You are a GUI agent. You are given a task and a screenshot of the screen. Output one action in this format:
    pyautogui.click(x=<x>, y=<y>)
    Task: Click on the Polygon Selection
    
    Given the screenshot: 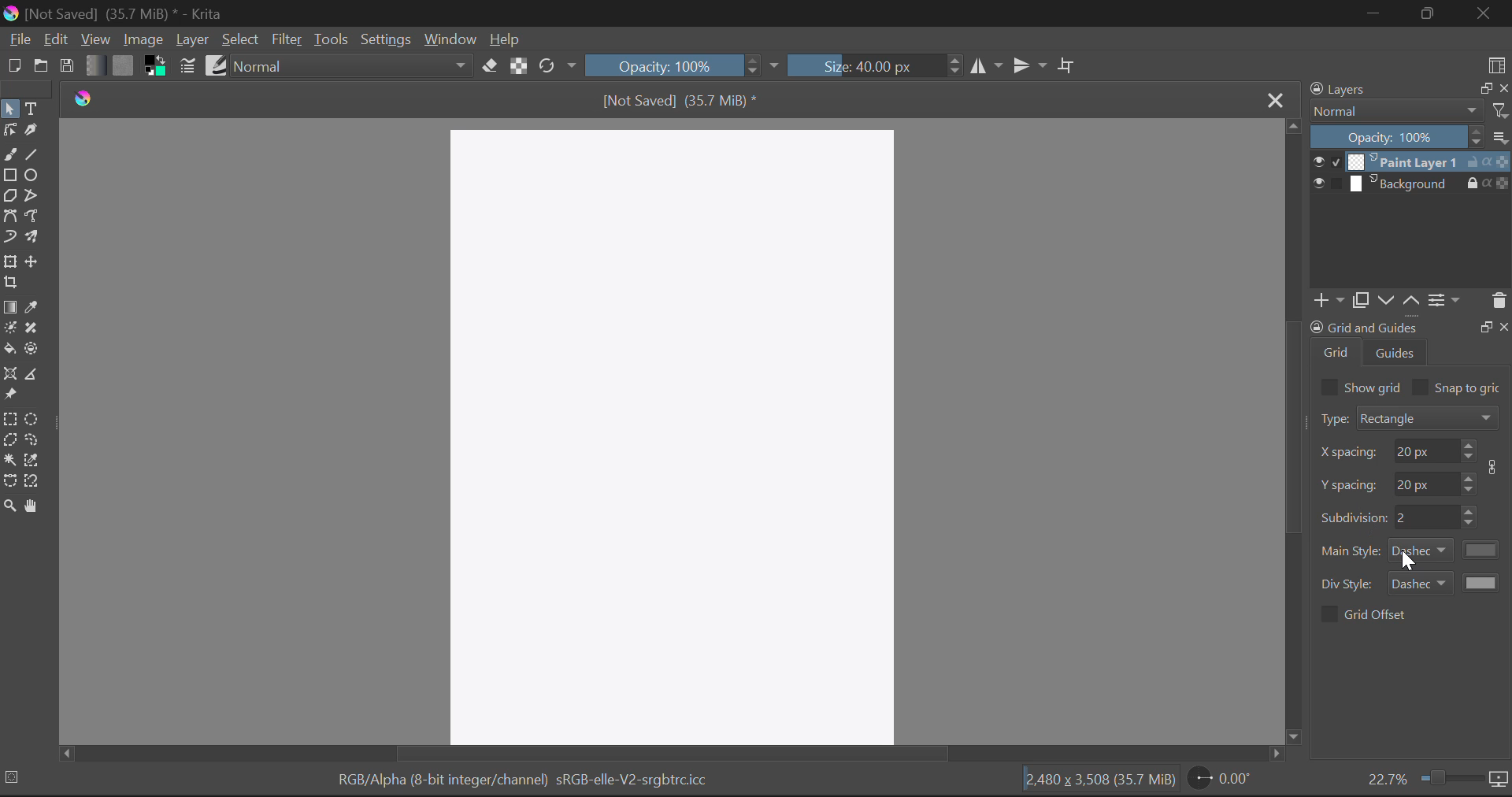 What is the action you would take?
    pyautogui.click(x=9, y=442)
    